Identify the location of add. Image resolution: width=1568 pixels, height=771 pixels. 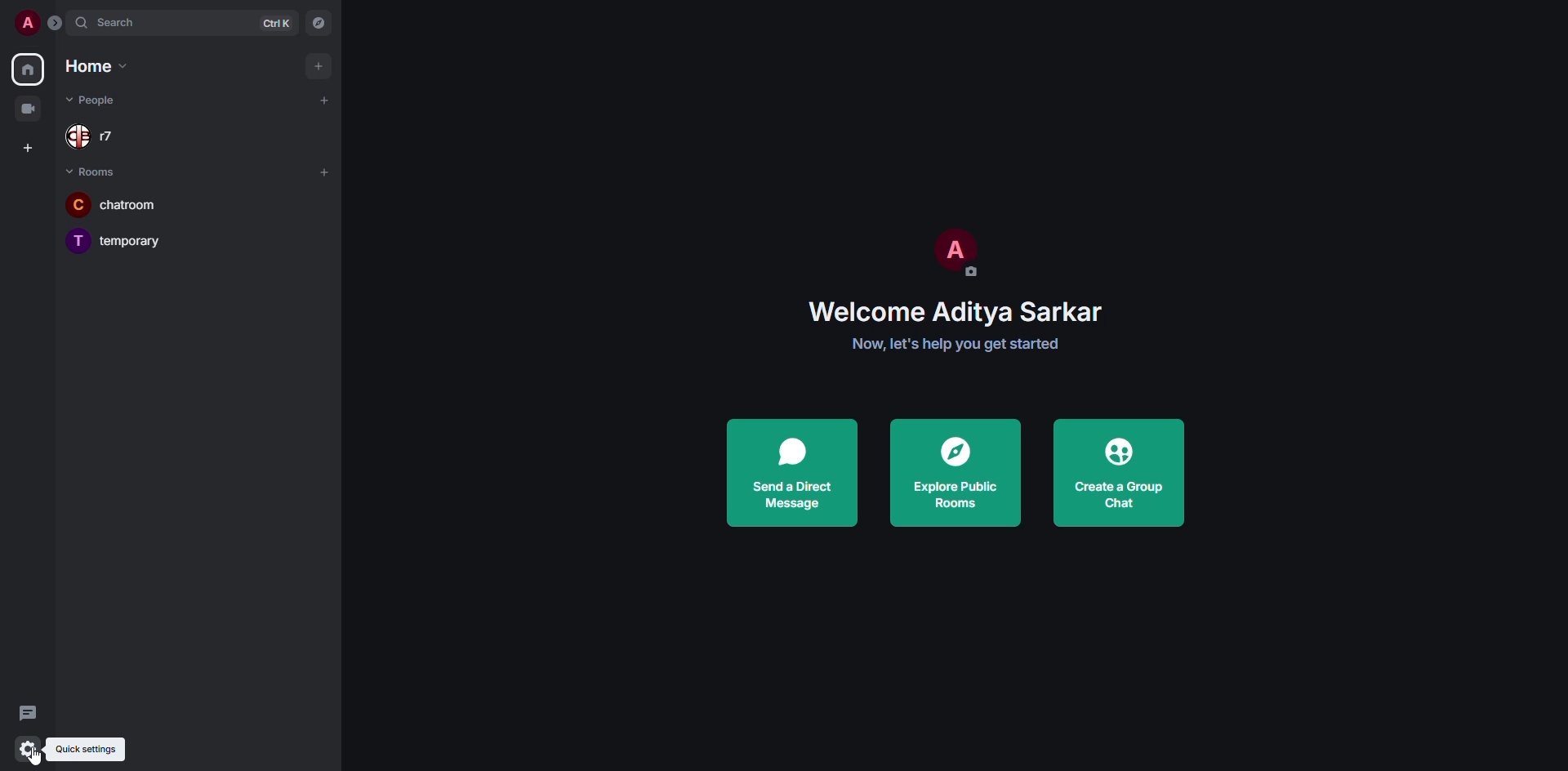
(327, 100).